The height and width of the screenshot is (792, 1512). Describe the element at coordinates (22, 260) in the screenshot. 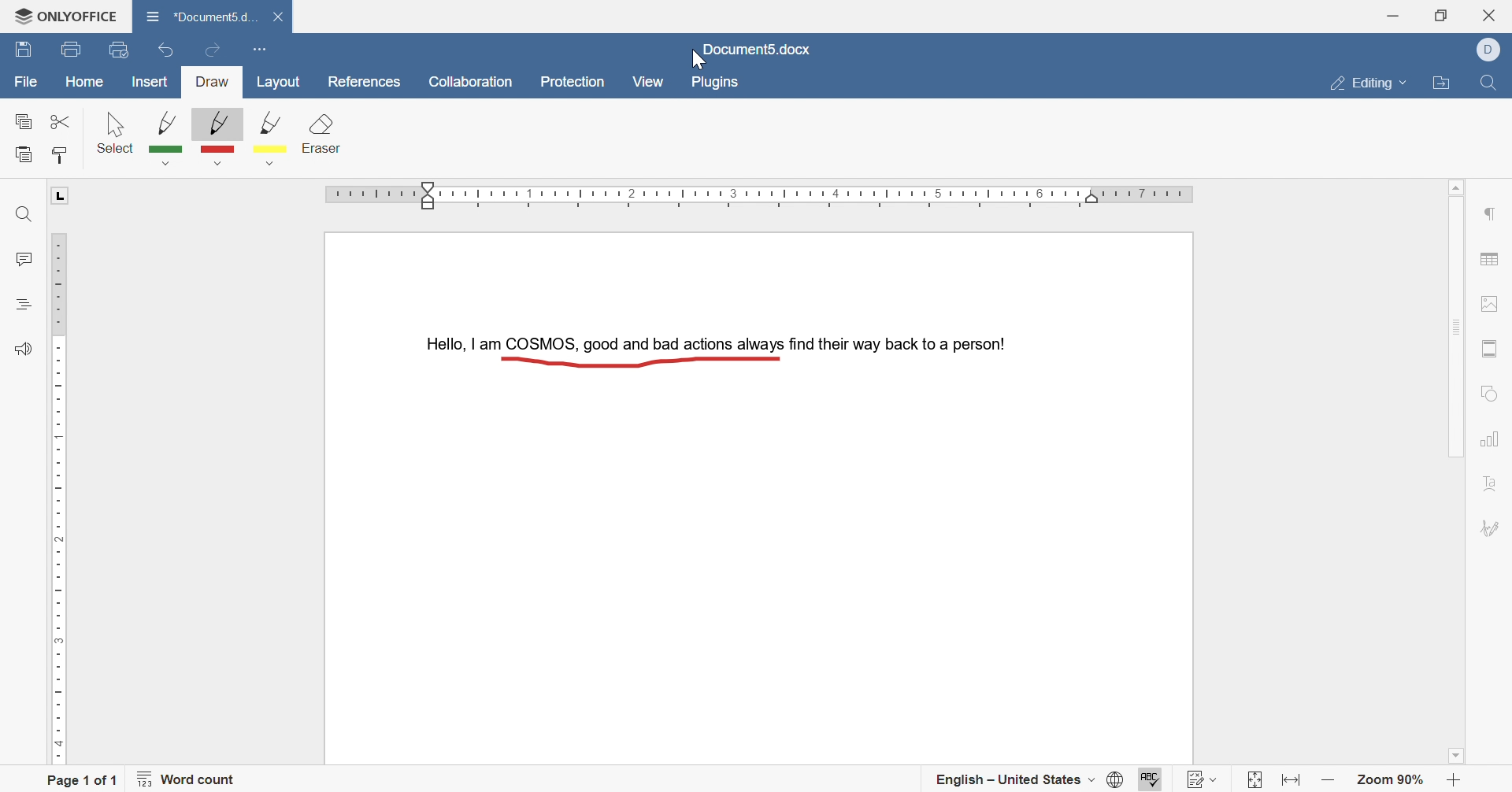

I see `comments` at that location.